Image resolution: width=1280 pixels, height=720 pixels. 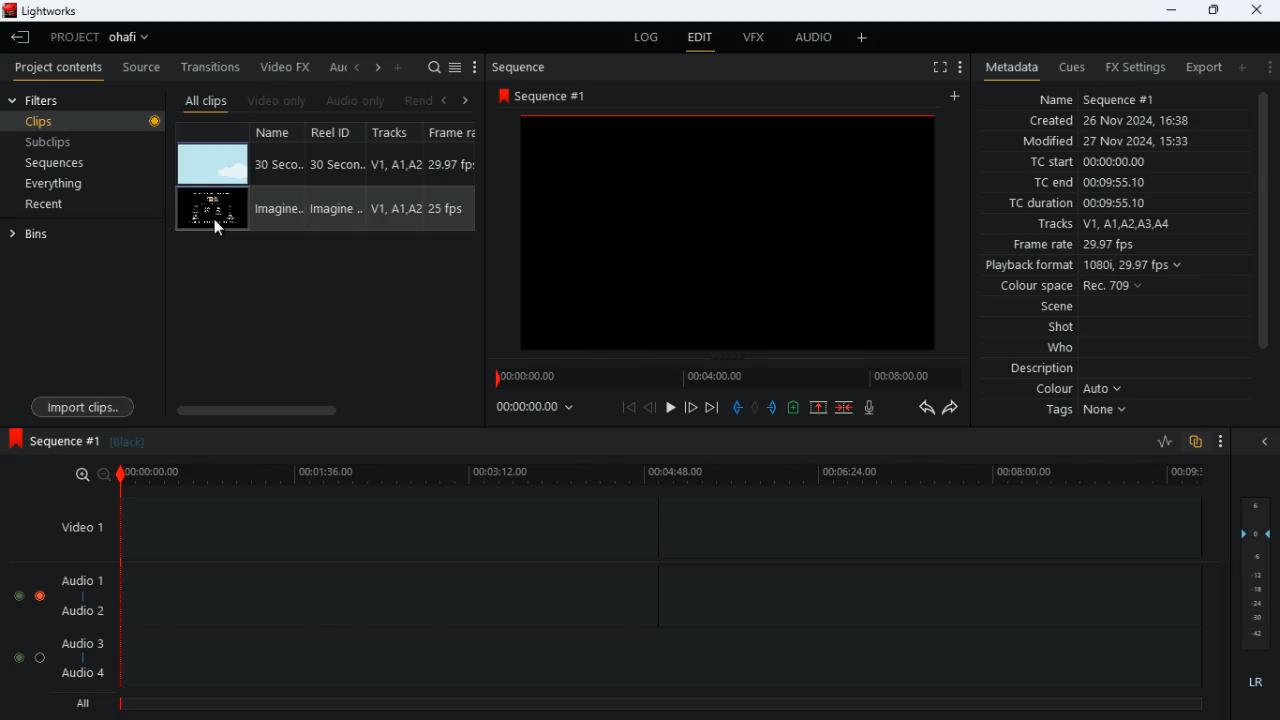 I want to click on lr, so click(x=1250, y=683).